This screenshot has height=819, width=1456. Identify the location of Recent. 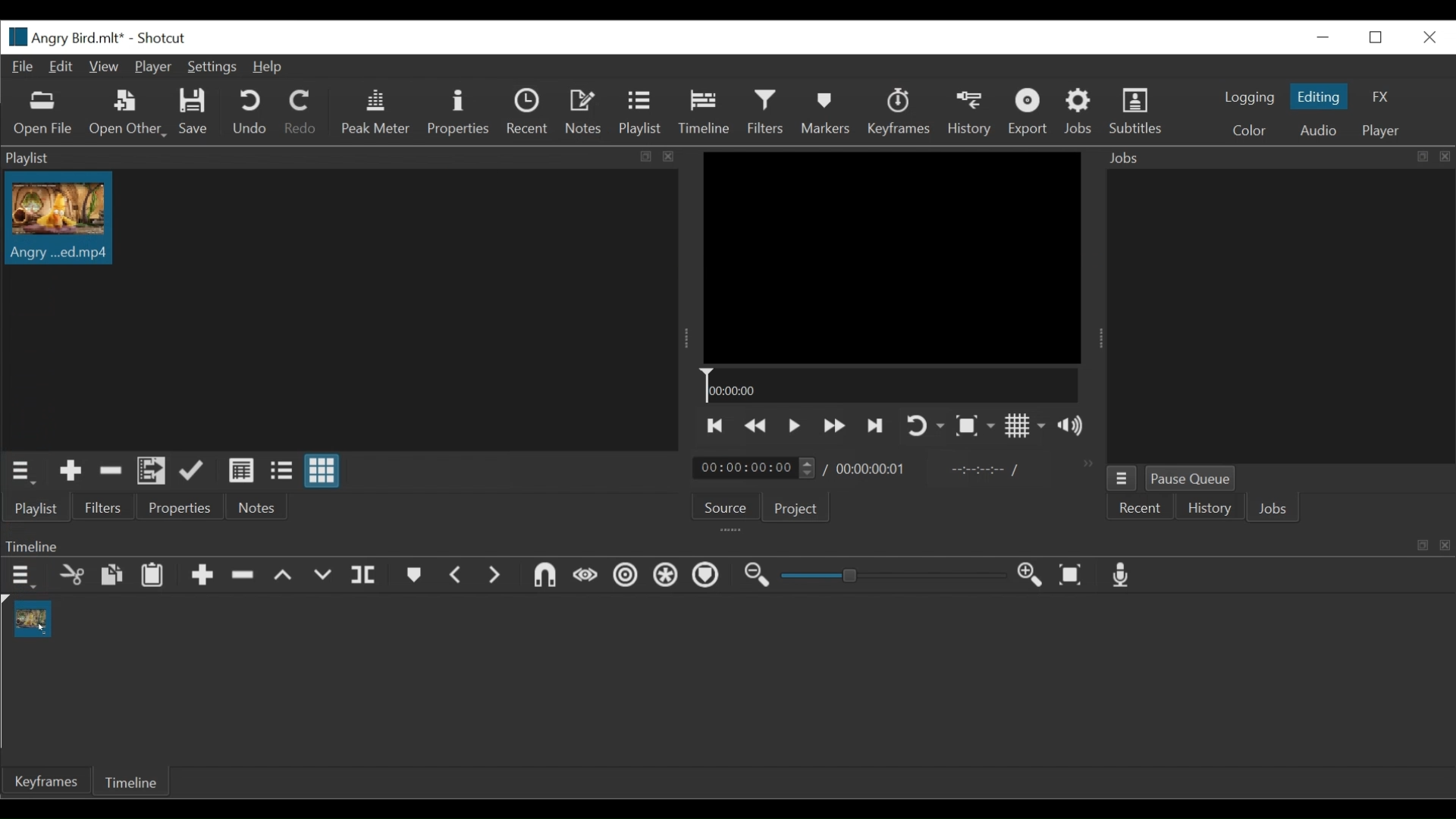
(527, 111).